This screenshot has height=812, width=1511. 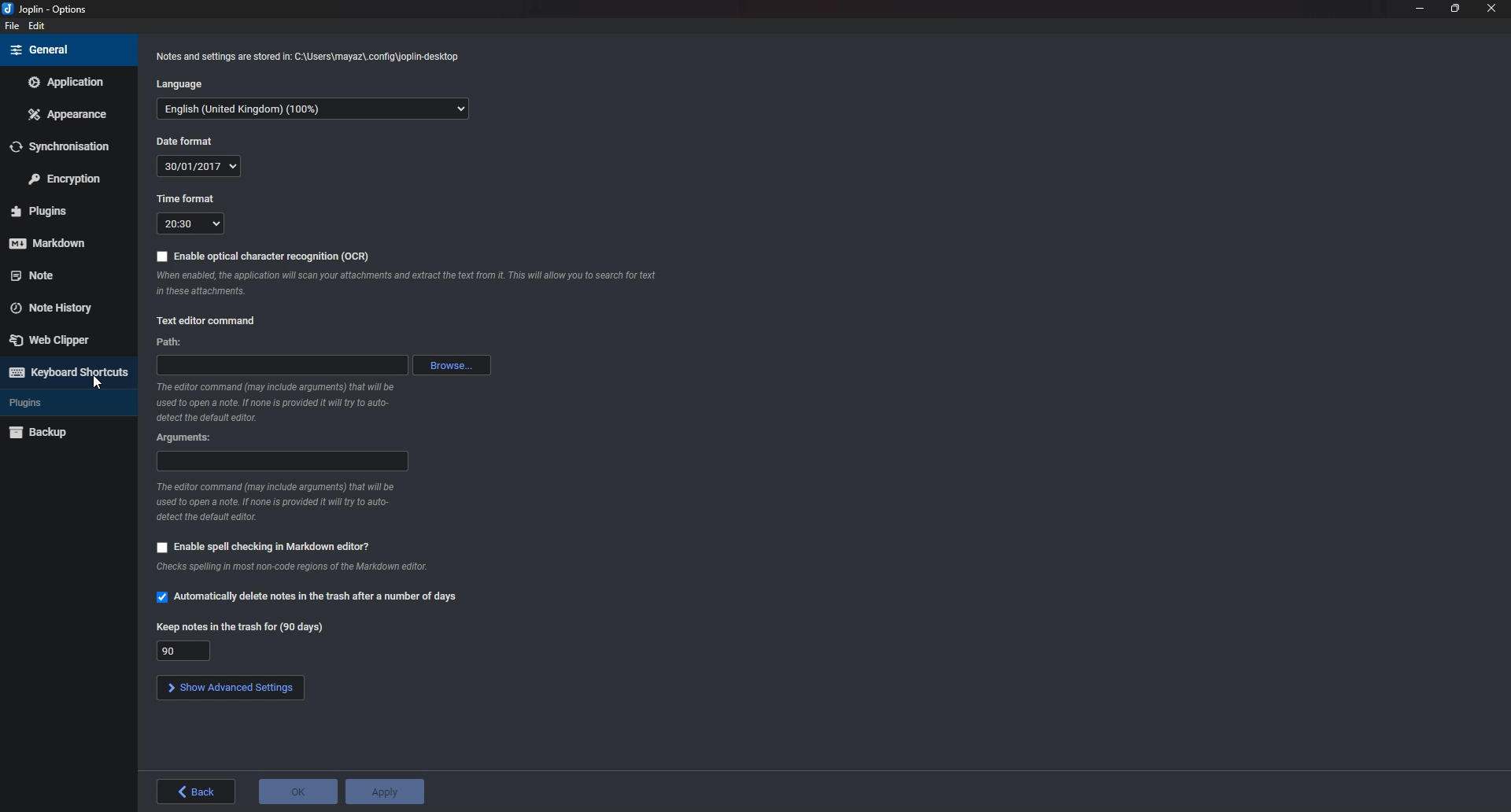 I want to click on Info, so click(x=278, y=402).